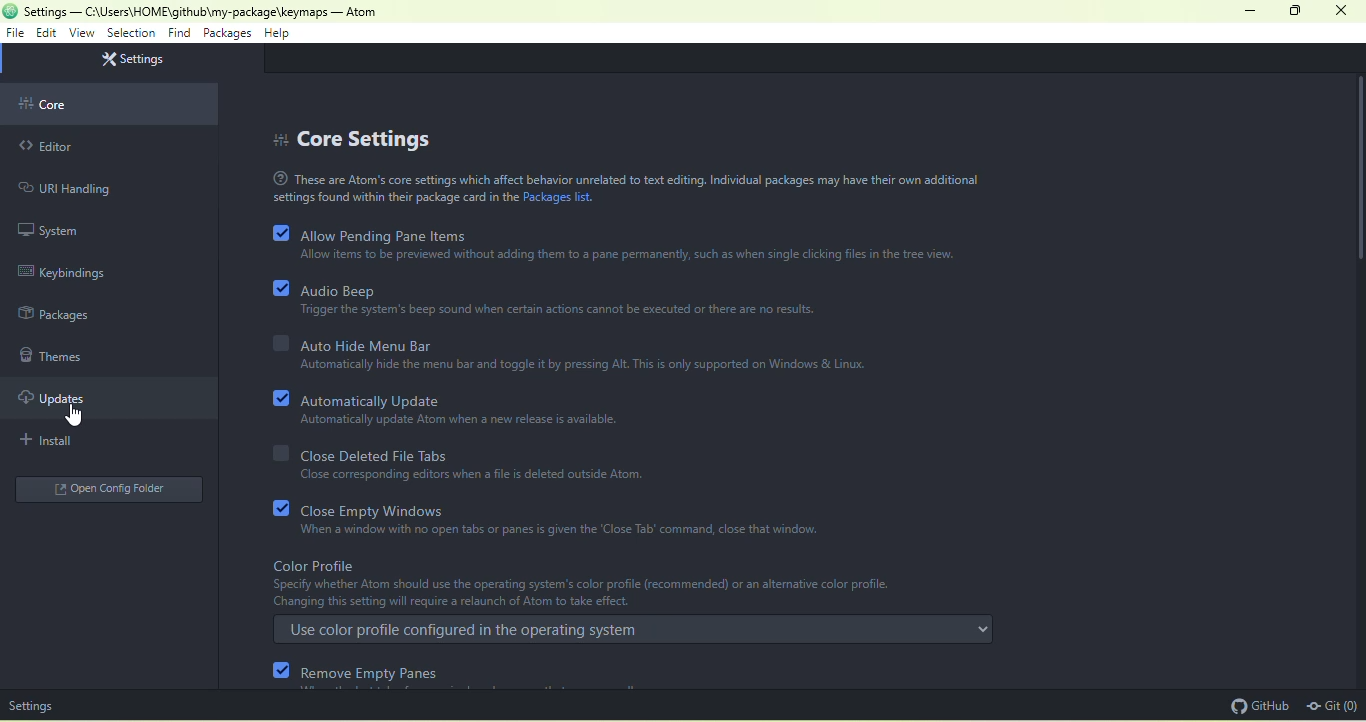 The height and width of the screenshot is (722, 1366). What do you see at coordinates (385, 235) in the screenshot?
I see `allow pending pane items` at bounding box center [385, 235].